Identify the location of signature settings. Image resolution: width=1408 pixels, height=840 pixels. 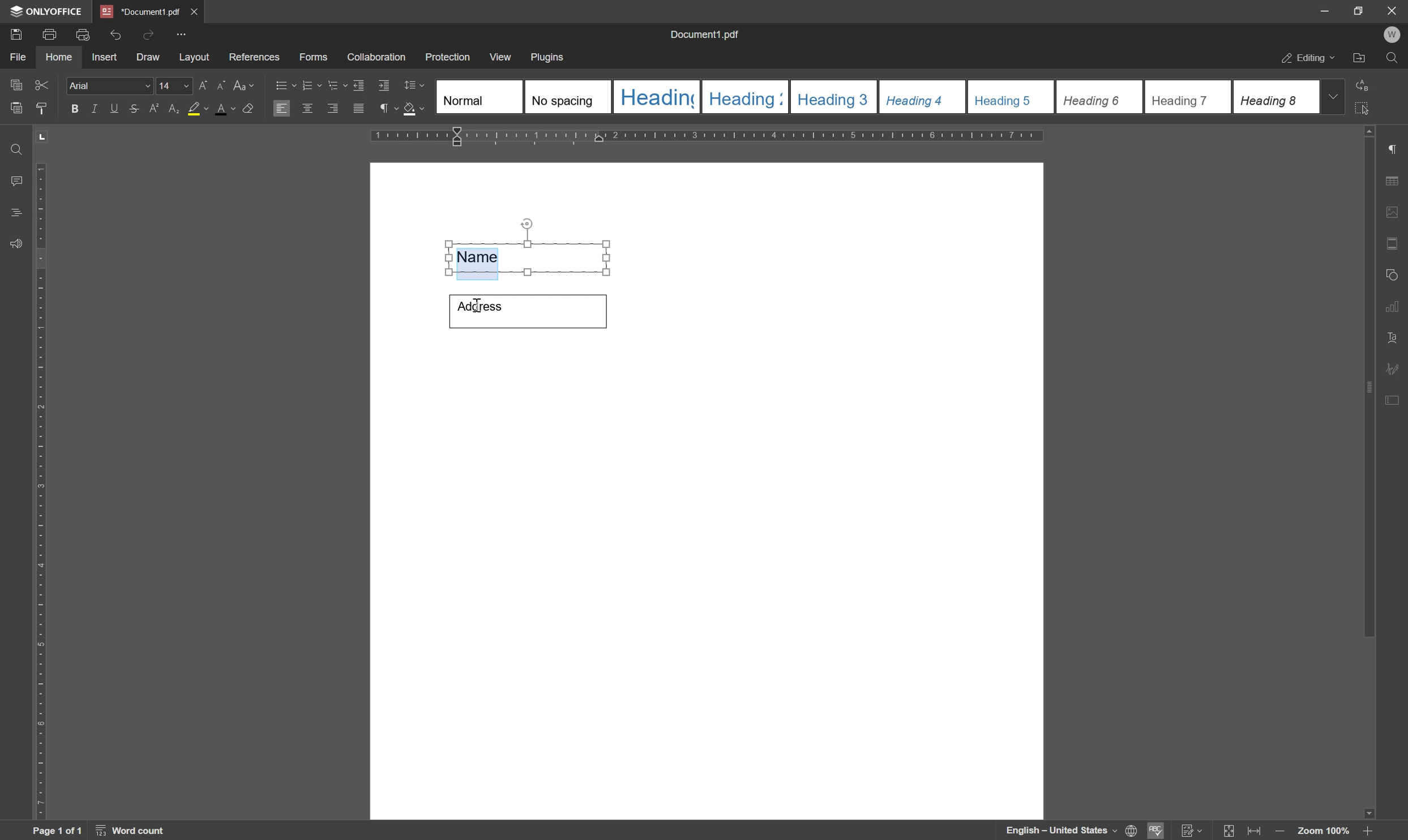
(1396, 368).